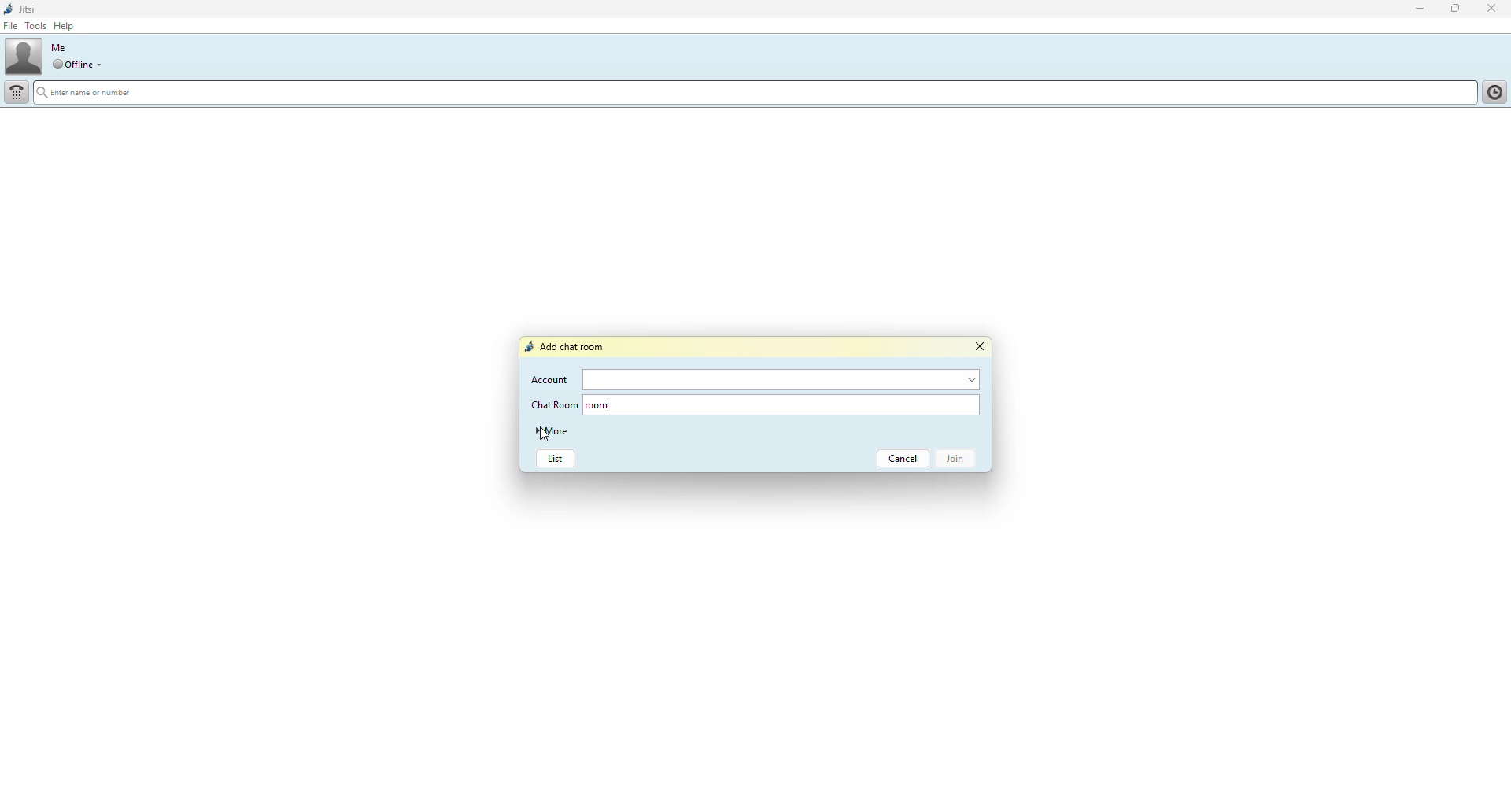 This screenshot has height=812, width=1511. Describe the element at coordinates (607, 407) in the screenshot. I see `room` at that location.